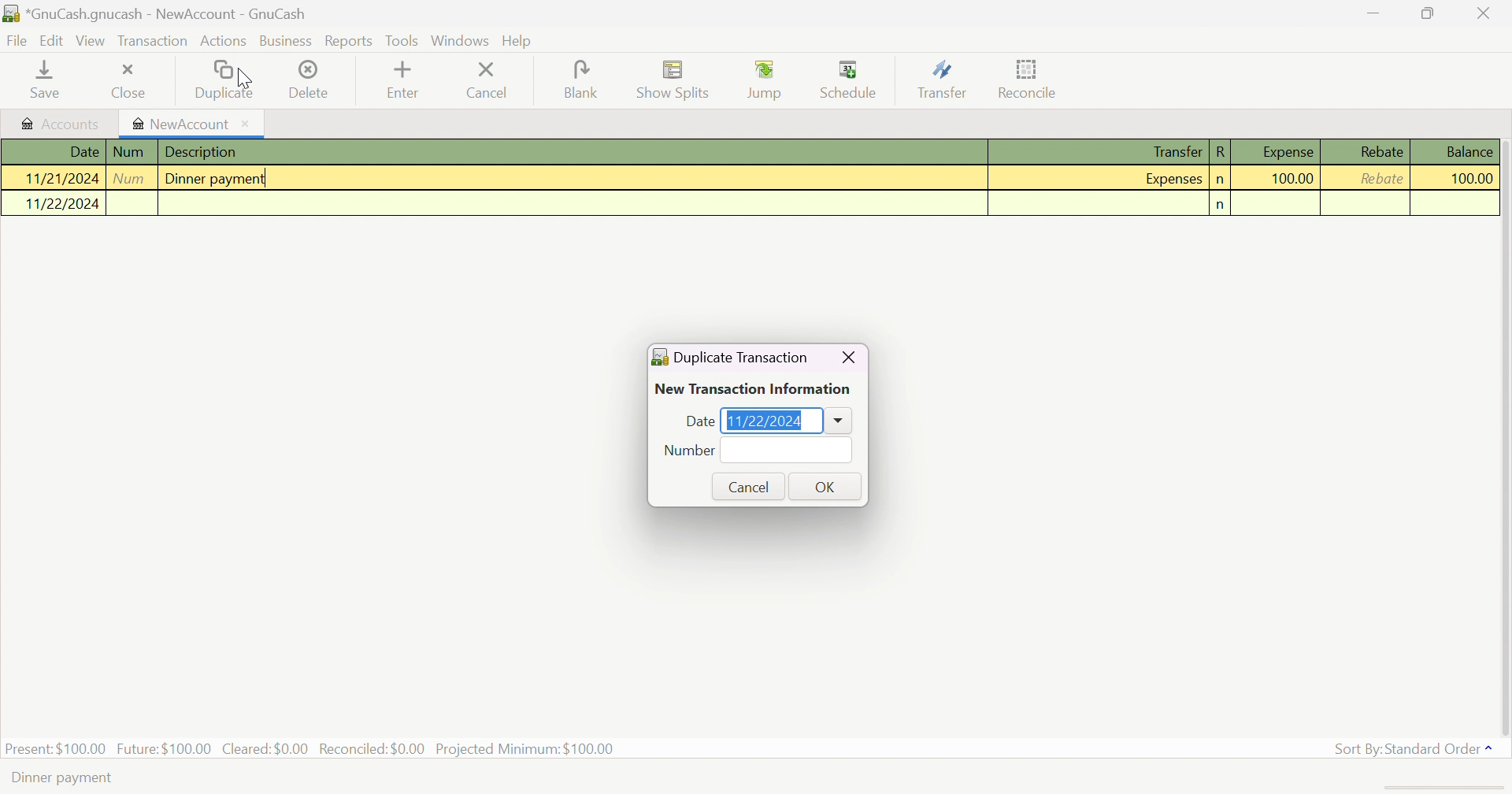  I want to click on Edit, so click(53, 40).